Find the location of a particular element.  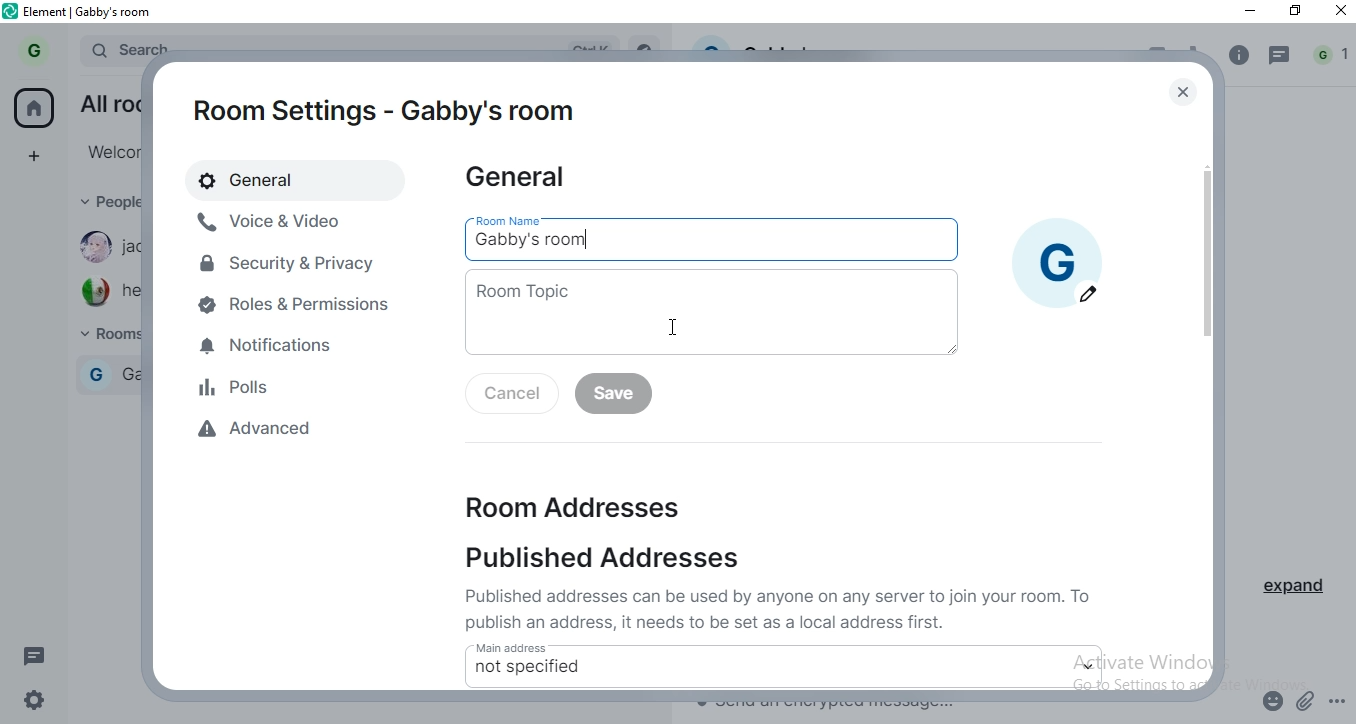

notification is located at coordinates (1331, 57).